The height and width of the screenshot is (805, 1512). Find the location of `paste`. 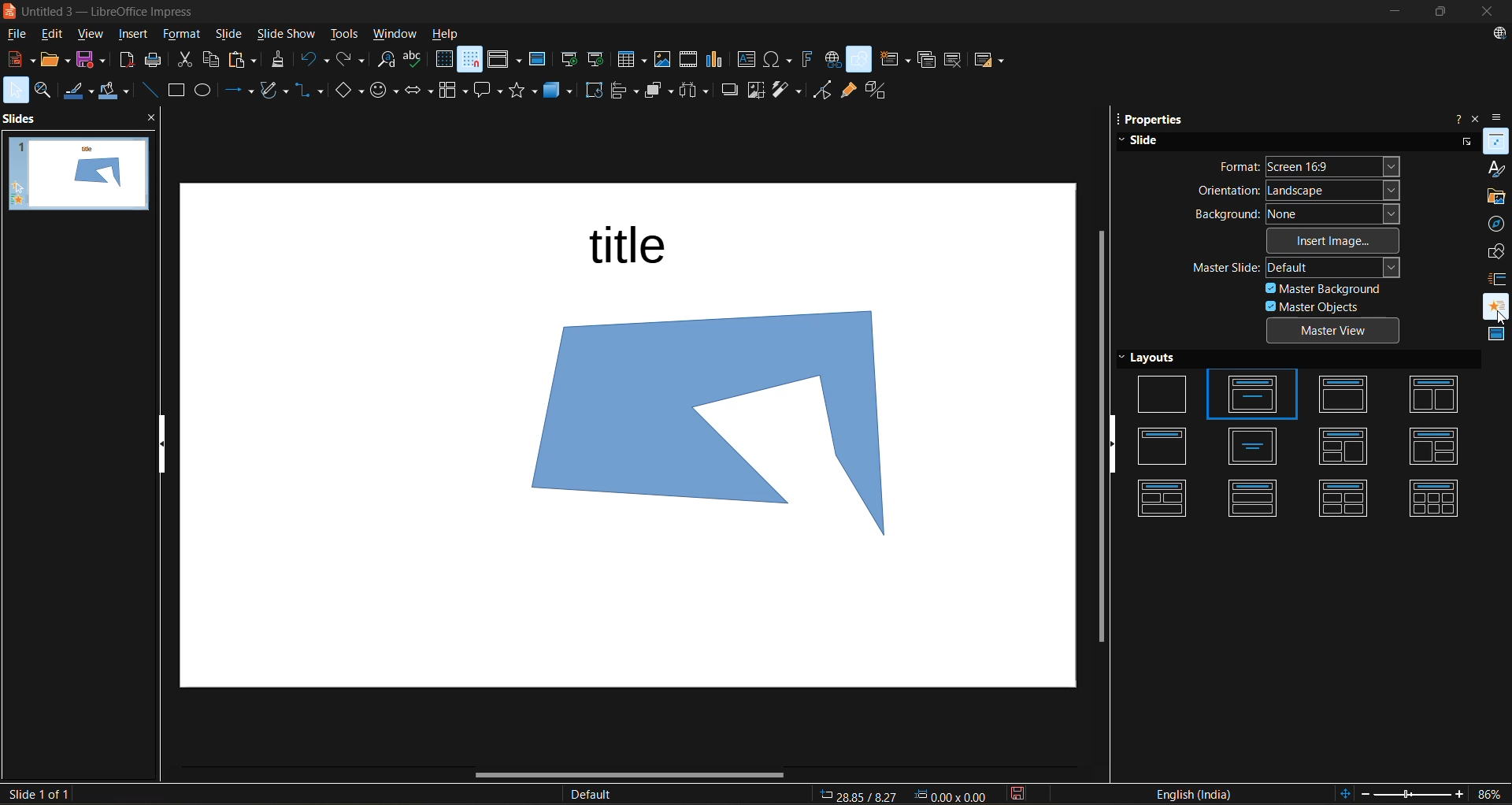

paste is located at coordinates (244, 59).